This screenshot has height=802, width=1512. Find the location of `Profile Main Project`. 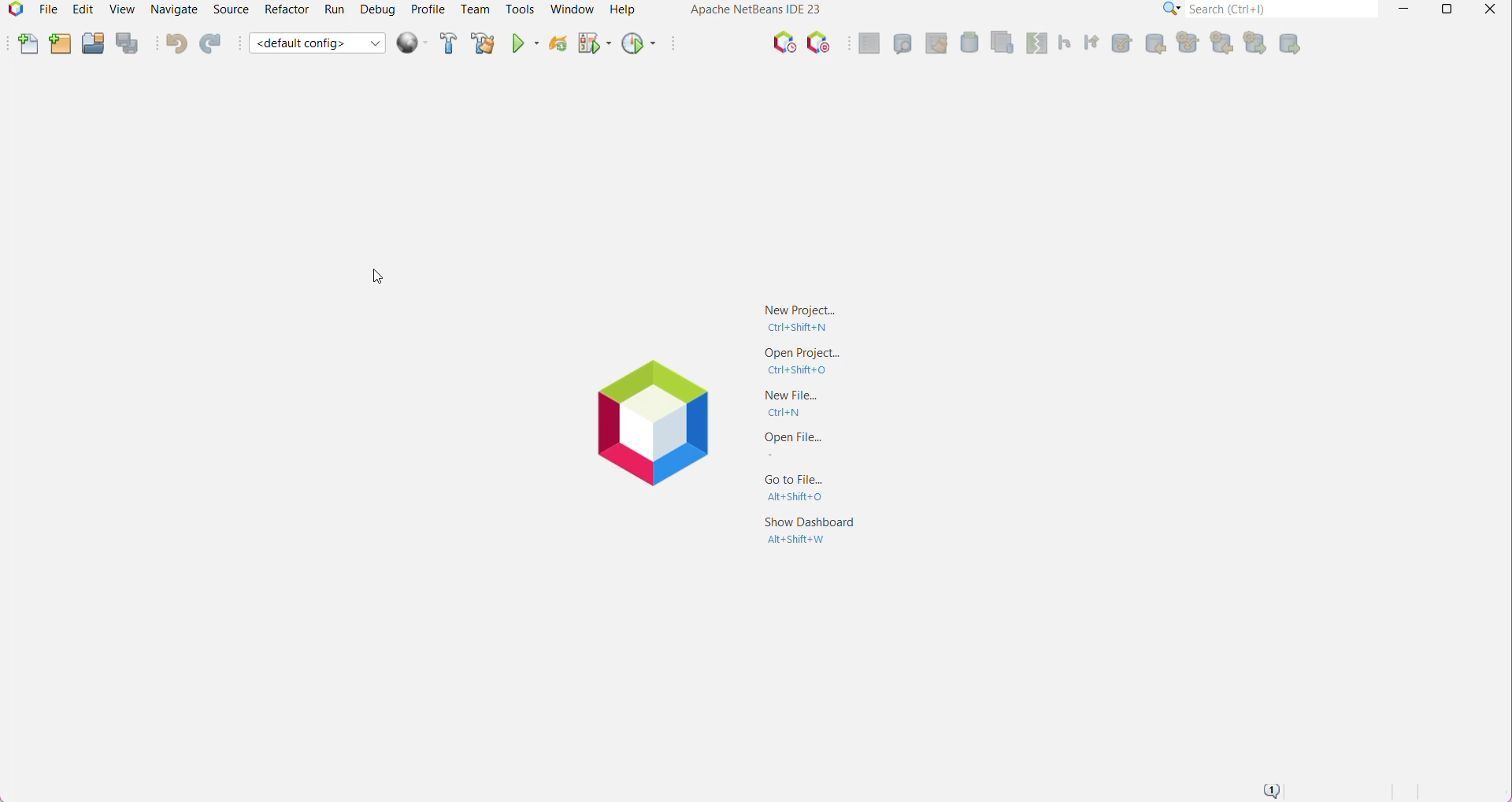

Profile Main Project is located at coordinates (637, 45).